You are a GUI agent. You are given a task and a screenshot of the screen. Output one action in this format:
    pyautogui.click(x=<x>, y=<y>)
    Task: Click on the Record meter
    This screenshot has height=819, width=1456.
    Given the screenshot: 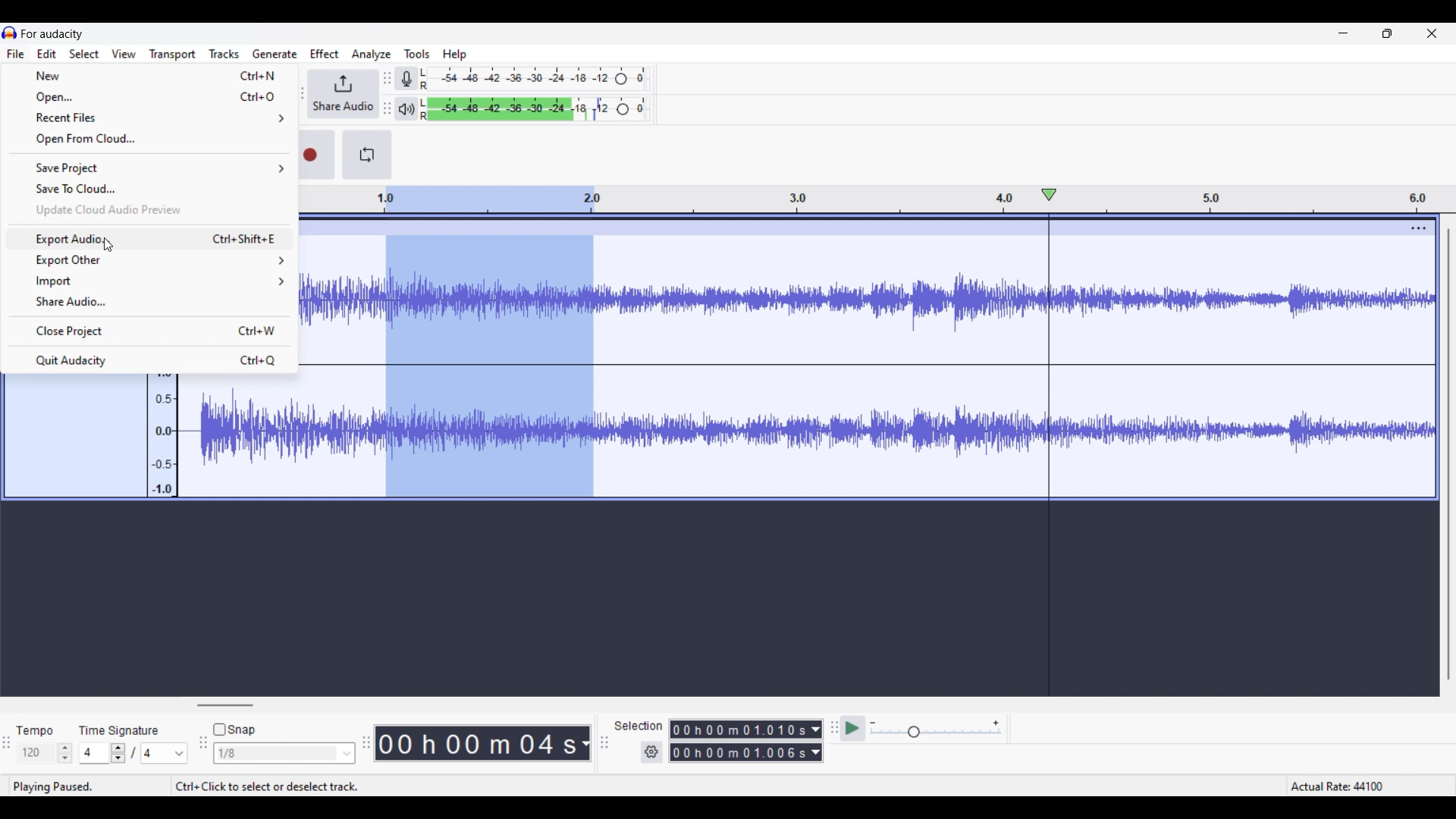 What is the action you would take?
    pyautogui.click(x=405, y=78)
    